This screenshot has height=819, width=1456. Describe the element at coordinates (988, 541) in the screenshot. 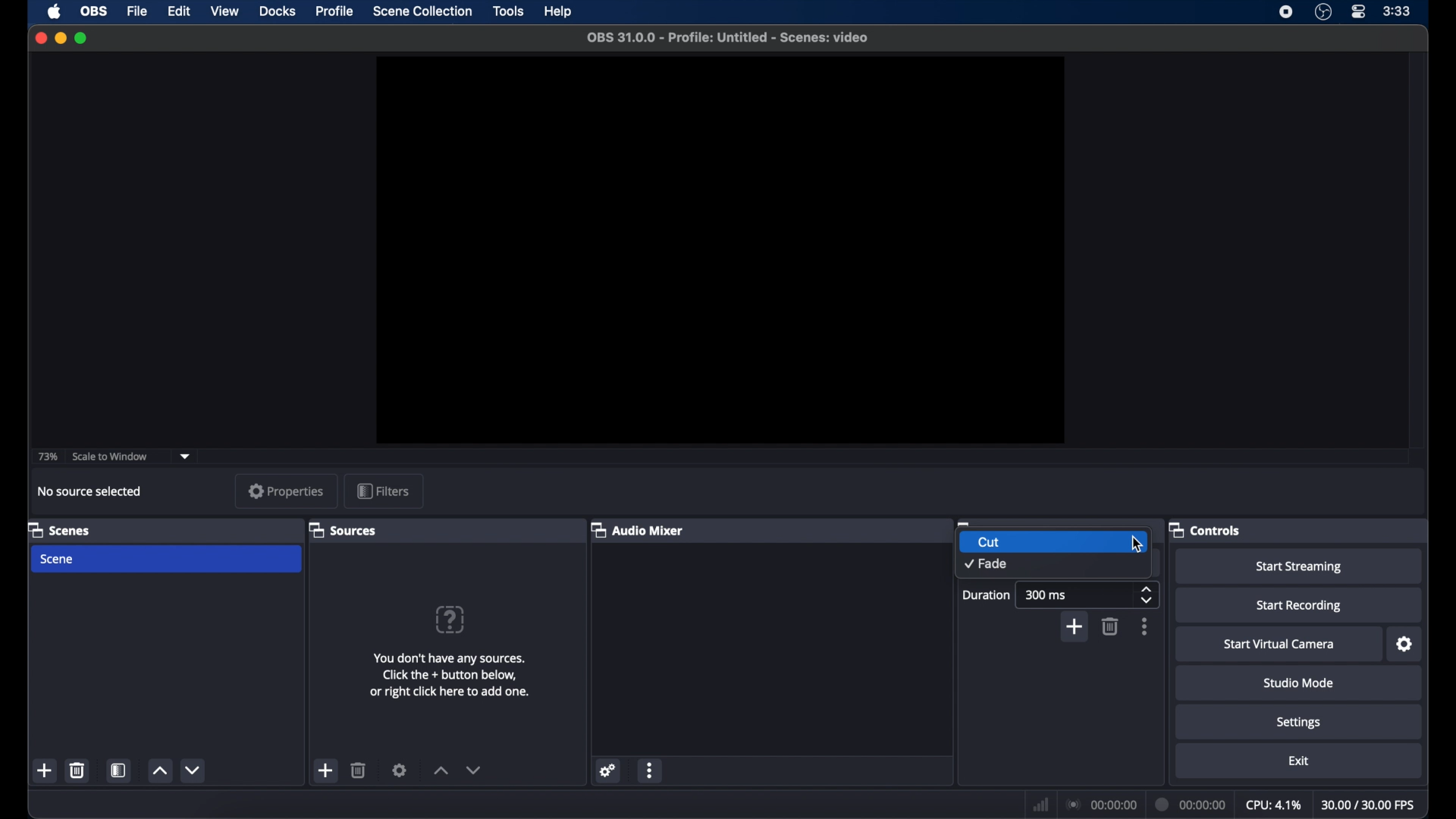

I see `cut` at that location.